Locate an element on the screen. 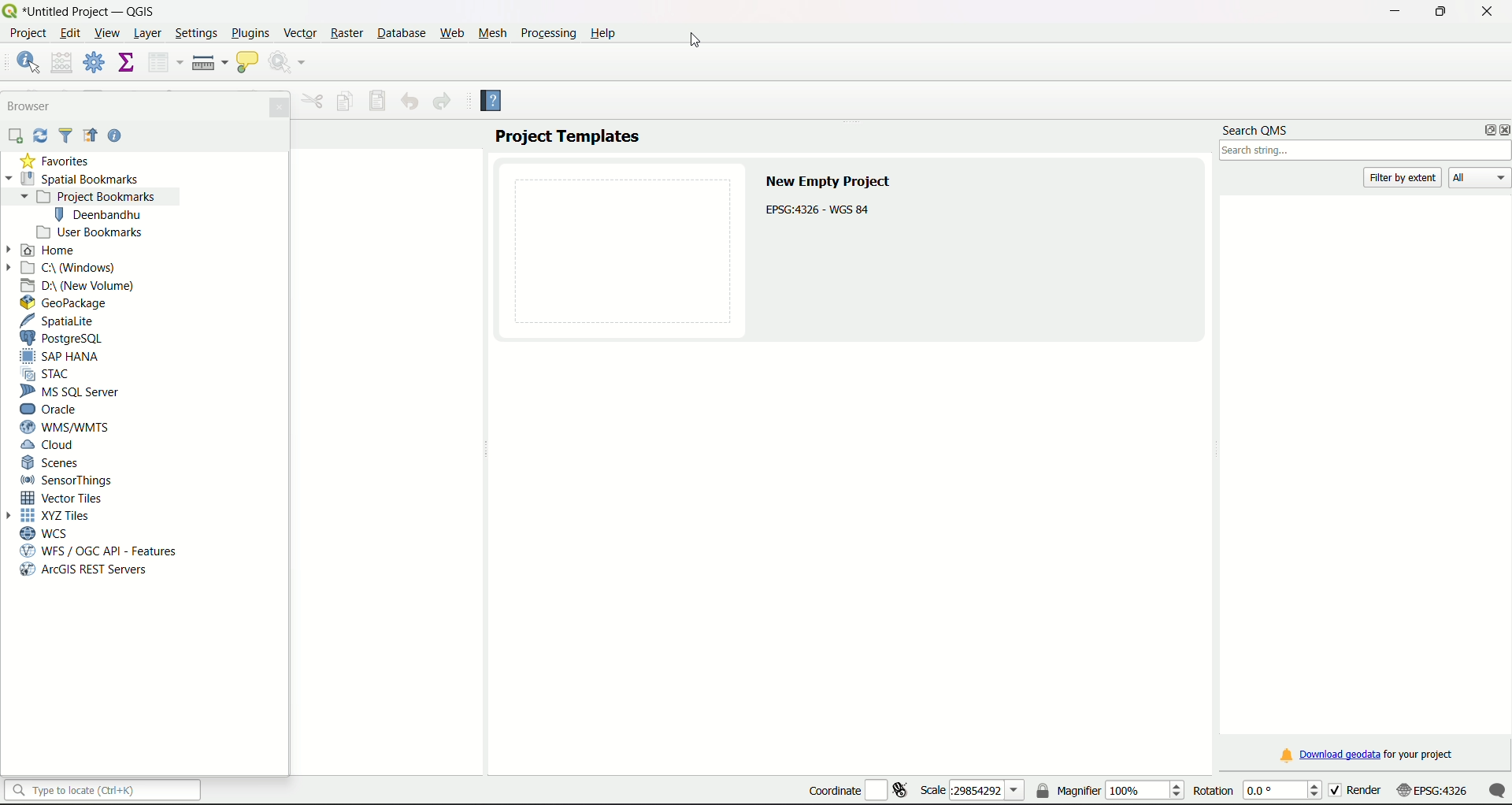  measure line is located at coordinates (209, 63).